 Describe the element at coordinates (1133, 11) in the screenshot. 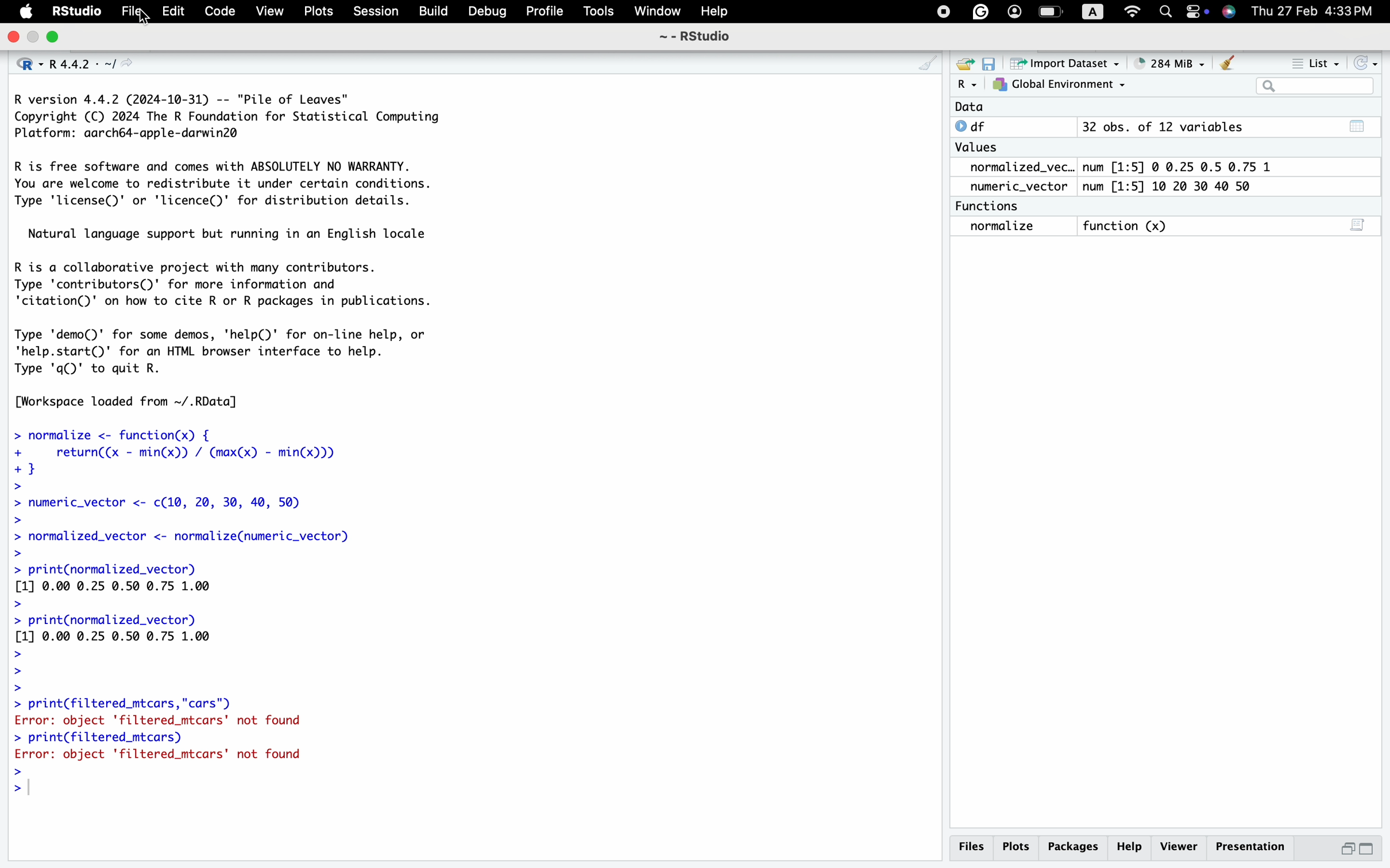

I see `wifi` at that location.